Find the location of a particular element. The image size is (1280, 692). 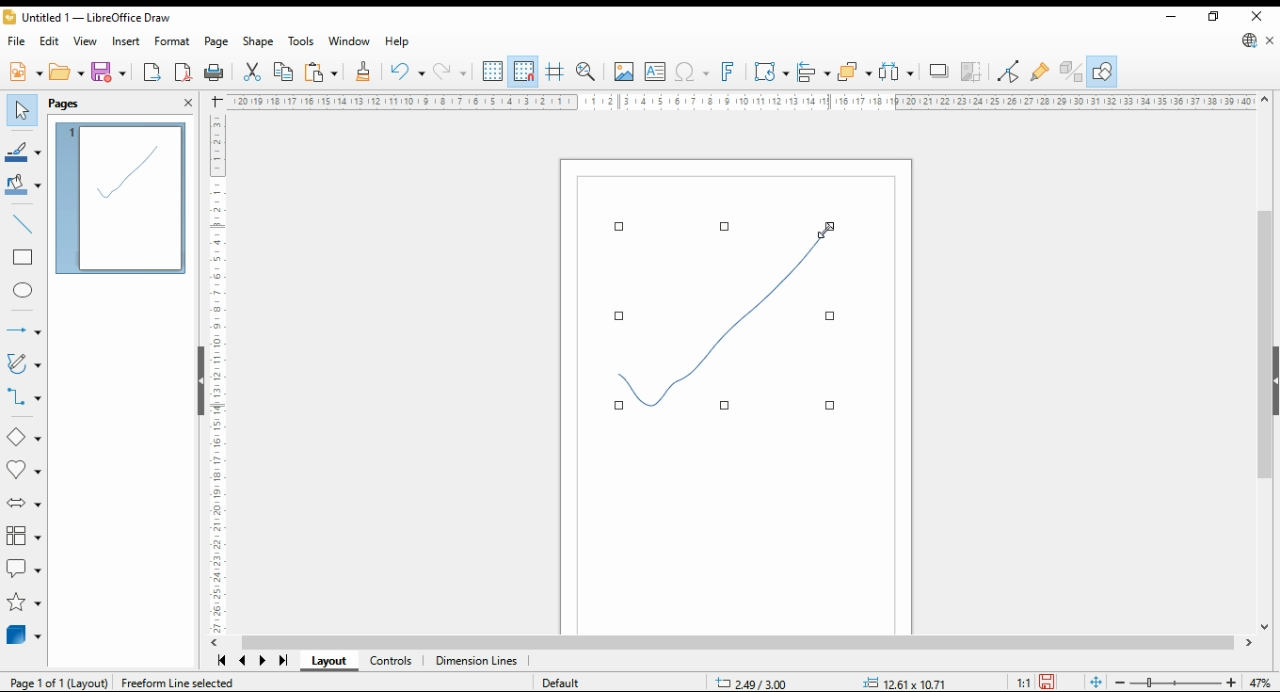

 clone formatting is located at coordinates (365, 71).